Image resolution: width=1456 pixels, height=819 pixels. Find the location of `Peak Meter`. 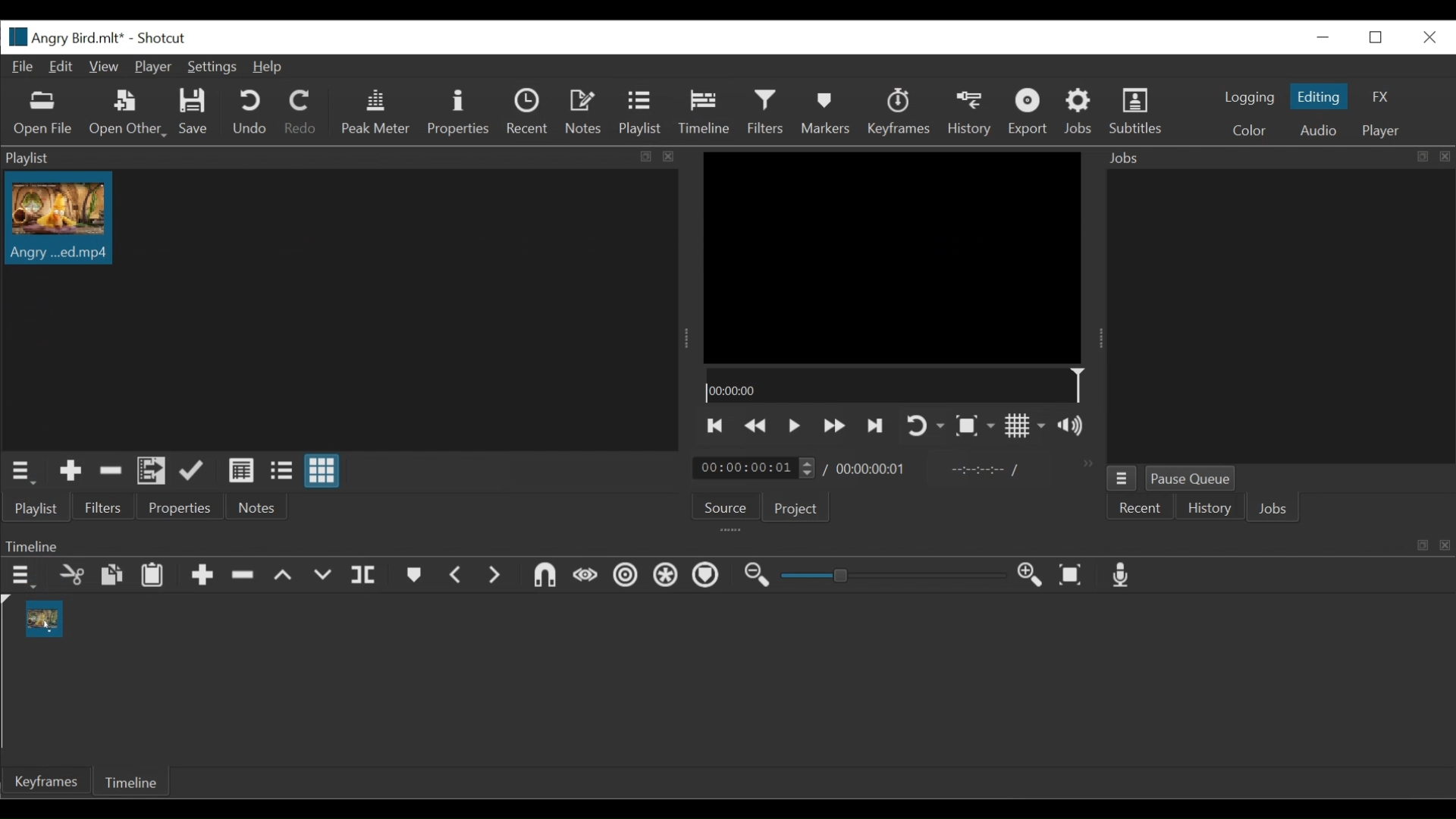

Peak Meter is located at coordinates (375, 111).